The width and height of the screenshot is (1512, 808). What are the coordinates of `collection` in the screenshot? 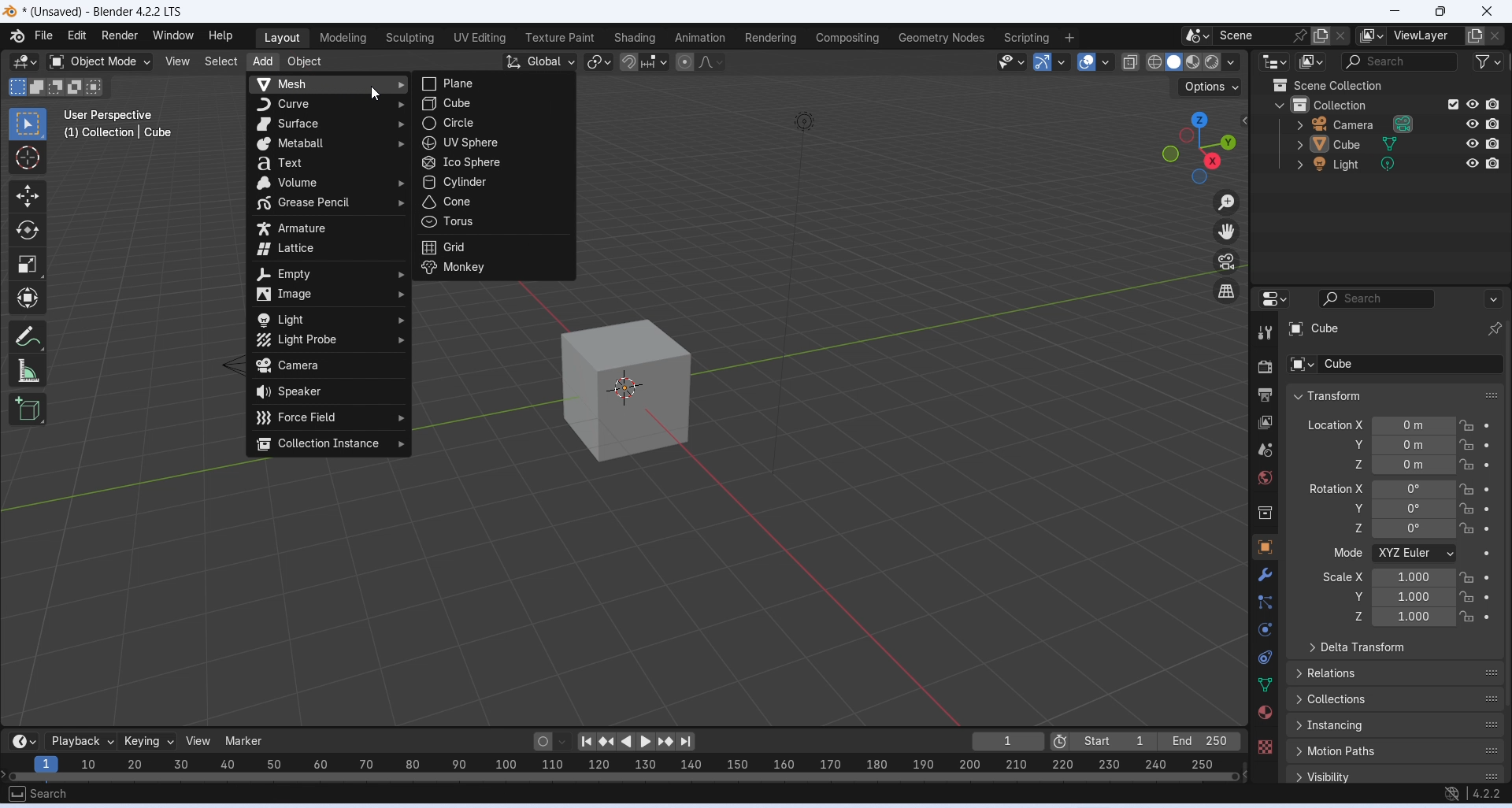 It's located at (1353, 103).